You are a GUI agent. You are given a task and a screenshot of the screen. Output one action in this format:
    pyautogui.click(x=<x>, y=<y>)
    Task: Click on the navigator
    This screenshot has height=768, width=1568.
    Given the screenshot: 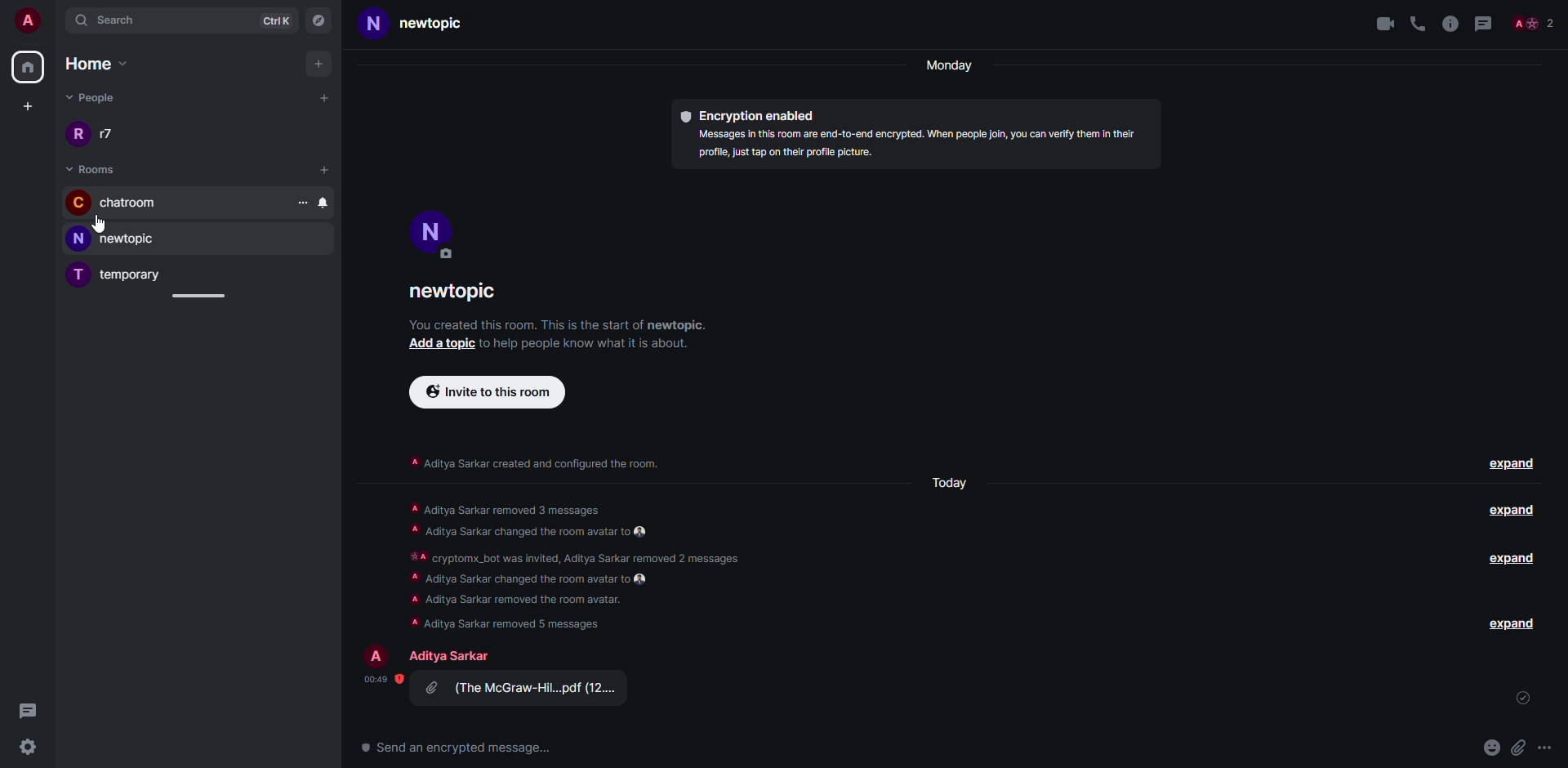 What is the action you would take?
    pyautogui.click(x=318, y=19)
    